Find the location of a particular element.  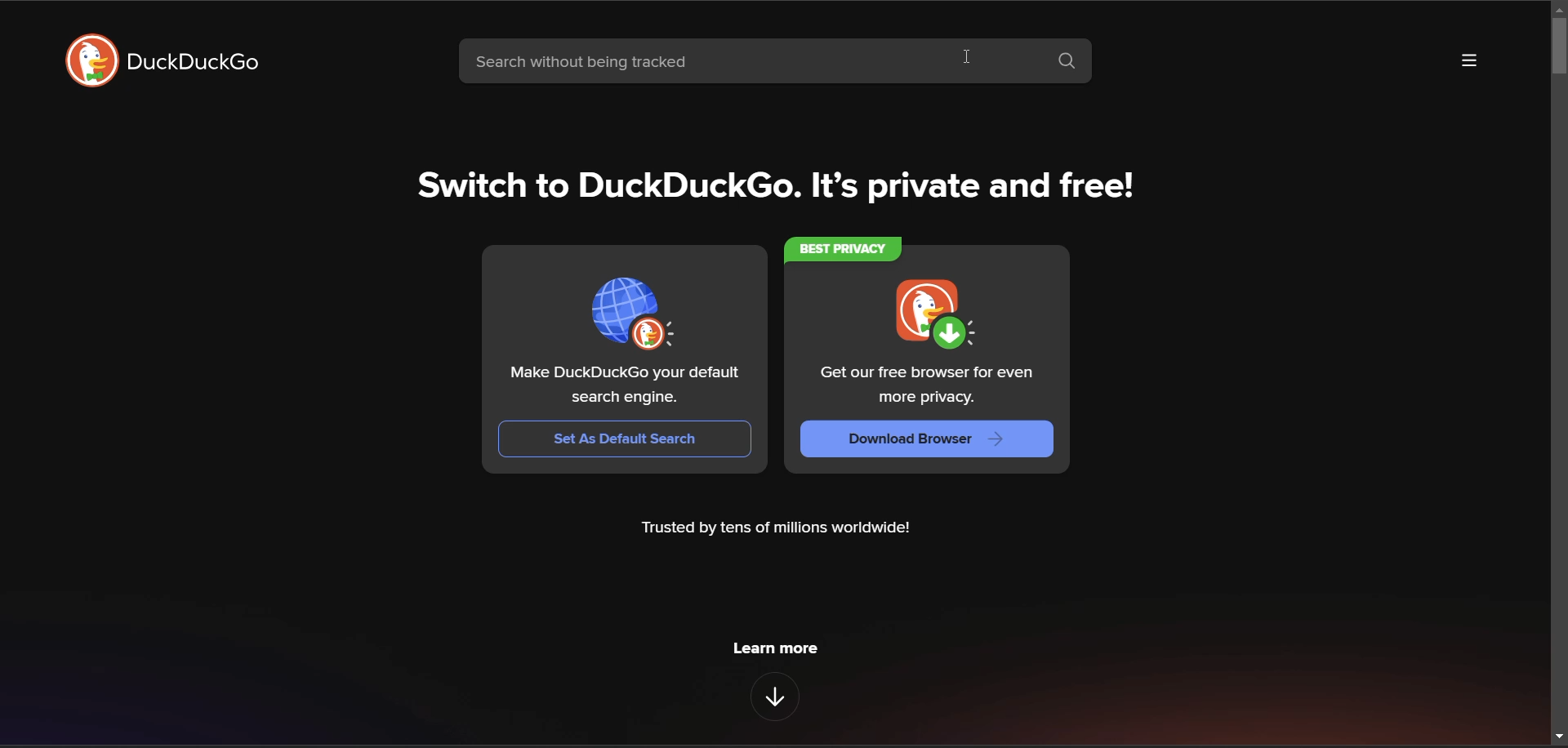

logo is located at coordinates (631, 312).